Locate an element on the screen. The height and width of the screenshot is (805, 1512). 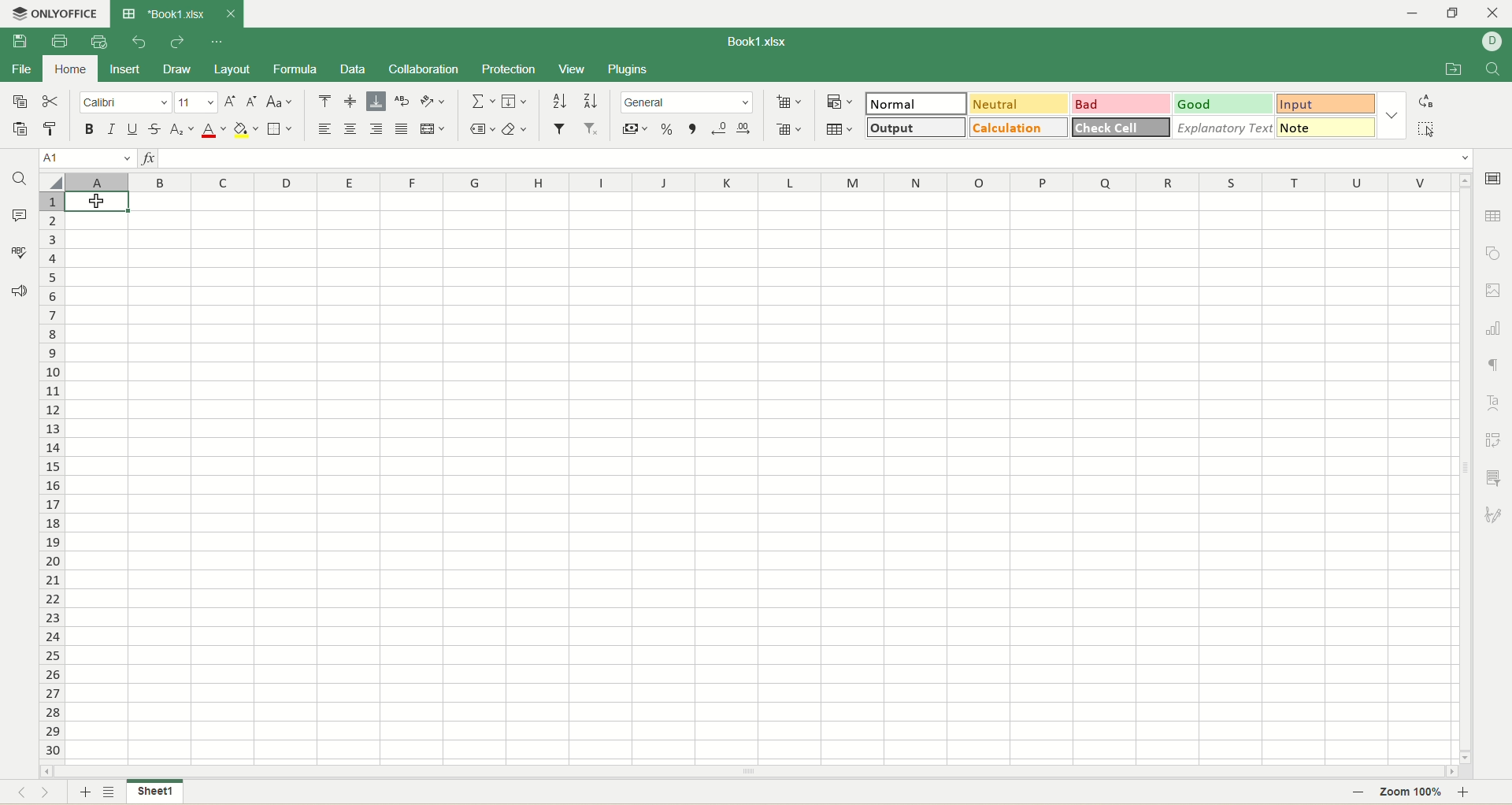
fill is located at coordinates (514, 100).